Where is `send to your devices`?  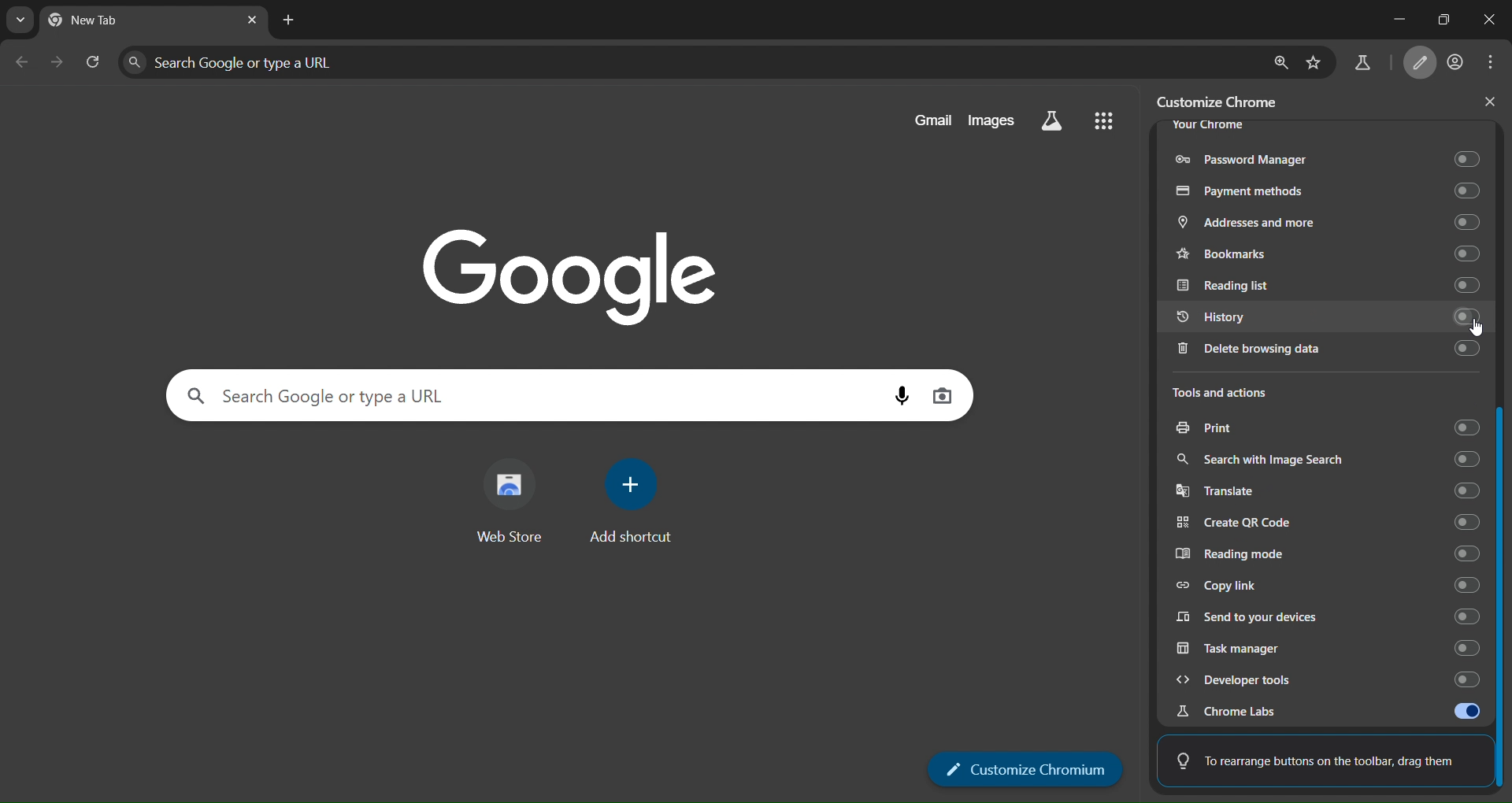
send to your devices is located at coordinates (1329, 615).